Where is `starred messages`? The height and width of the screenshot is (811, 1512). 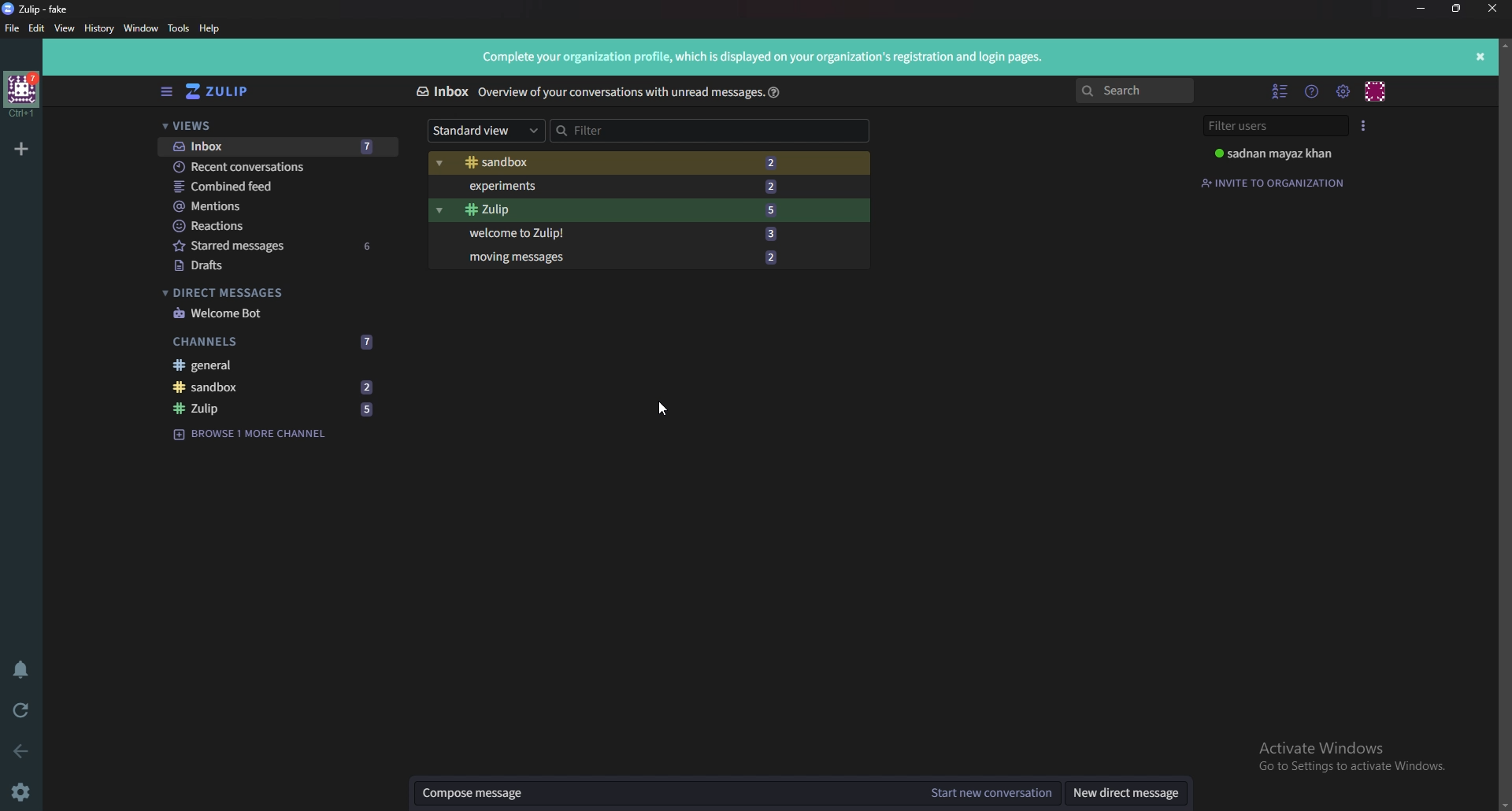
starred messages is located at coordinates (280, 246).